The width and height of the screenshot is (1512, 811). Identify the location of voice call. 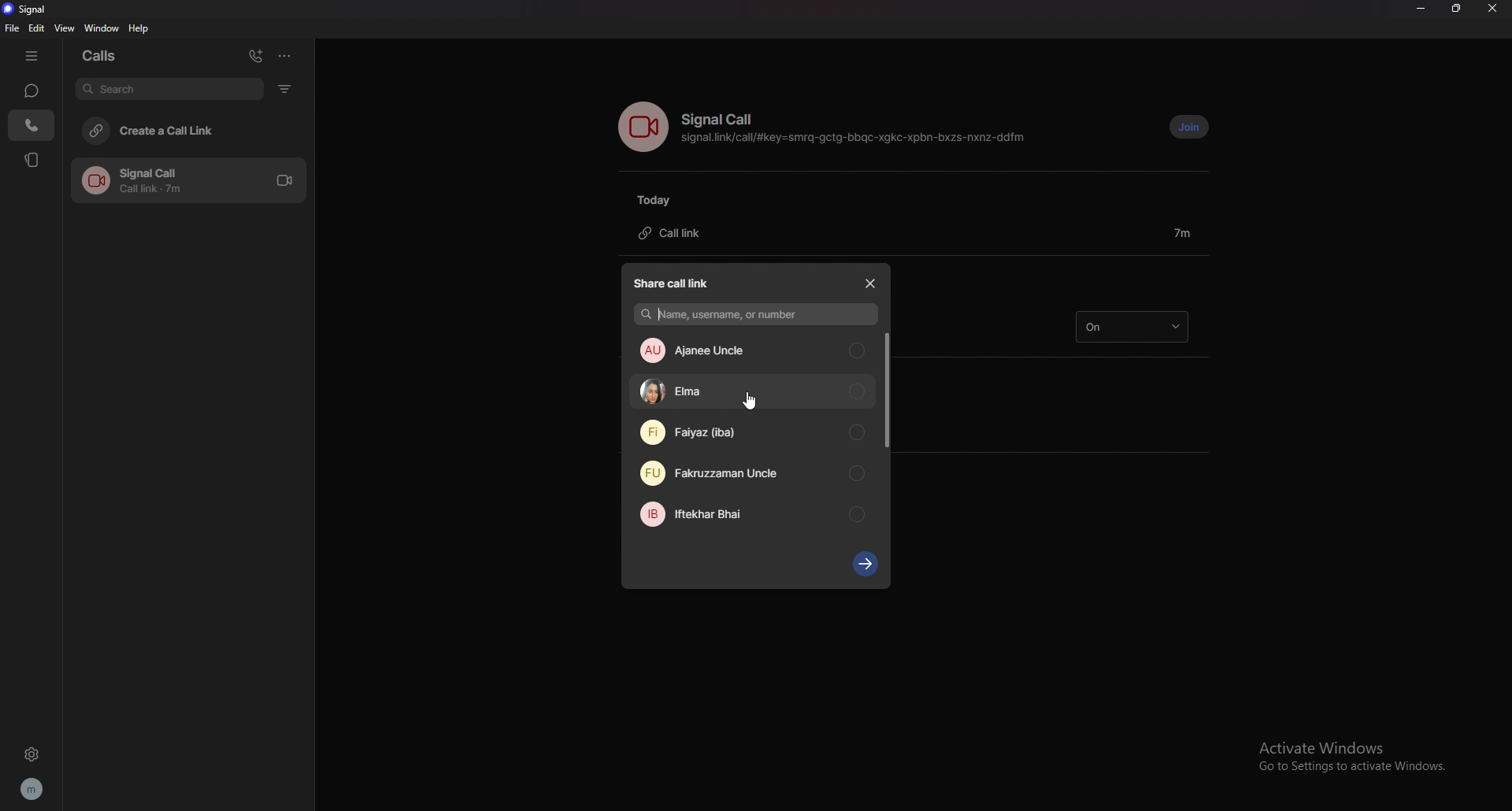
(643, 127).